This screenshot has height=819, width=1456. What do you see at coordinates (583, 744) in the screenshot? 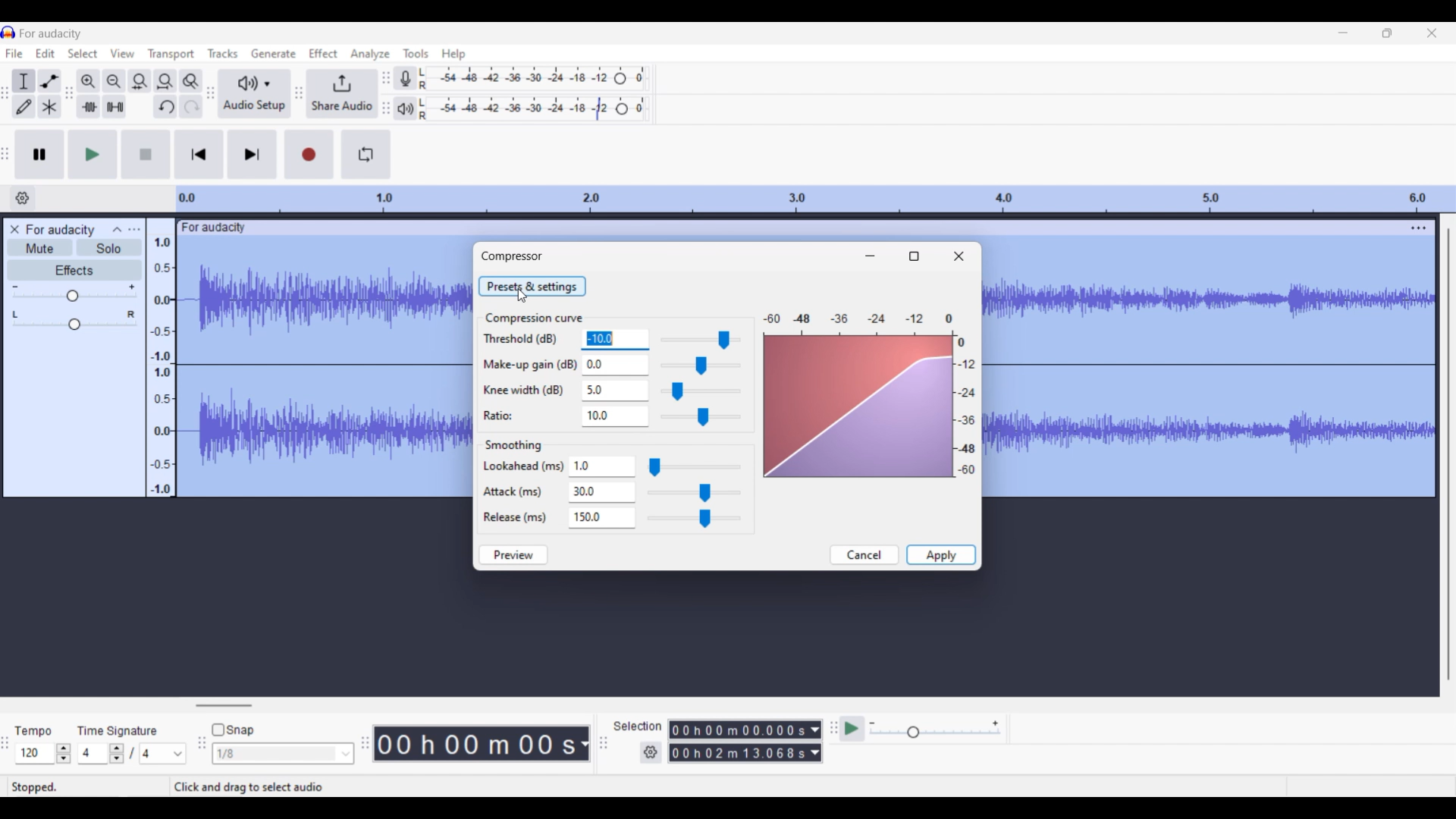
I see `Duration measurement` at bounding box center [583, 744].